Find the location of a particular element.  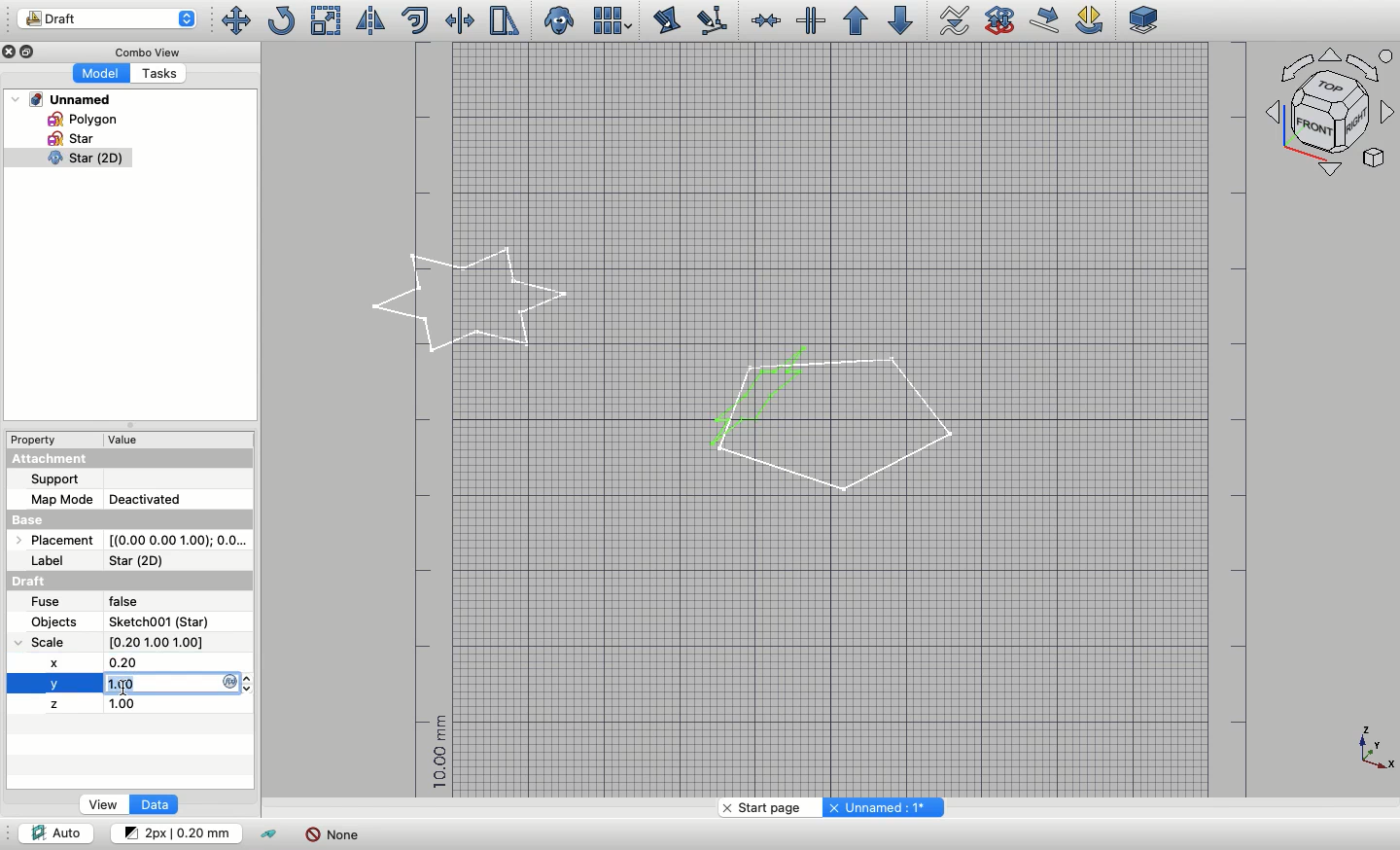

[0.20 1.00 1.00] is located at coordinates (177, 642).